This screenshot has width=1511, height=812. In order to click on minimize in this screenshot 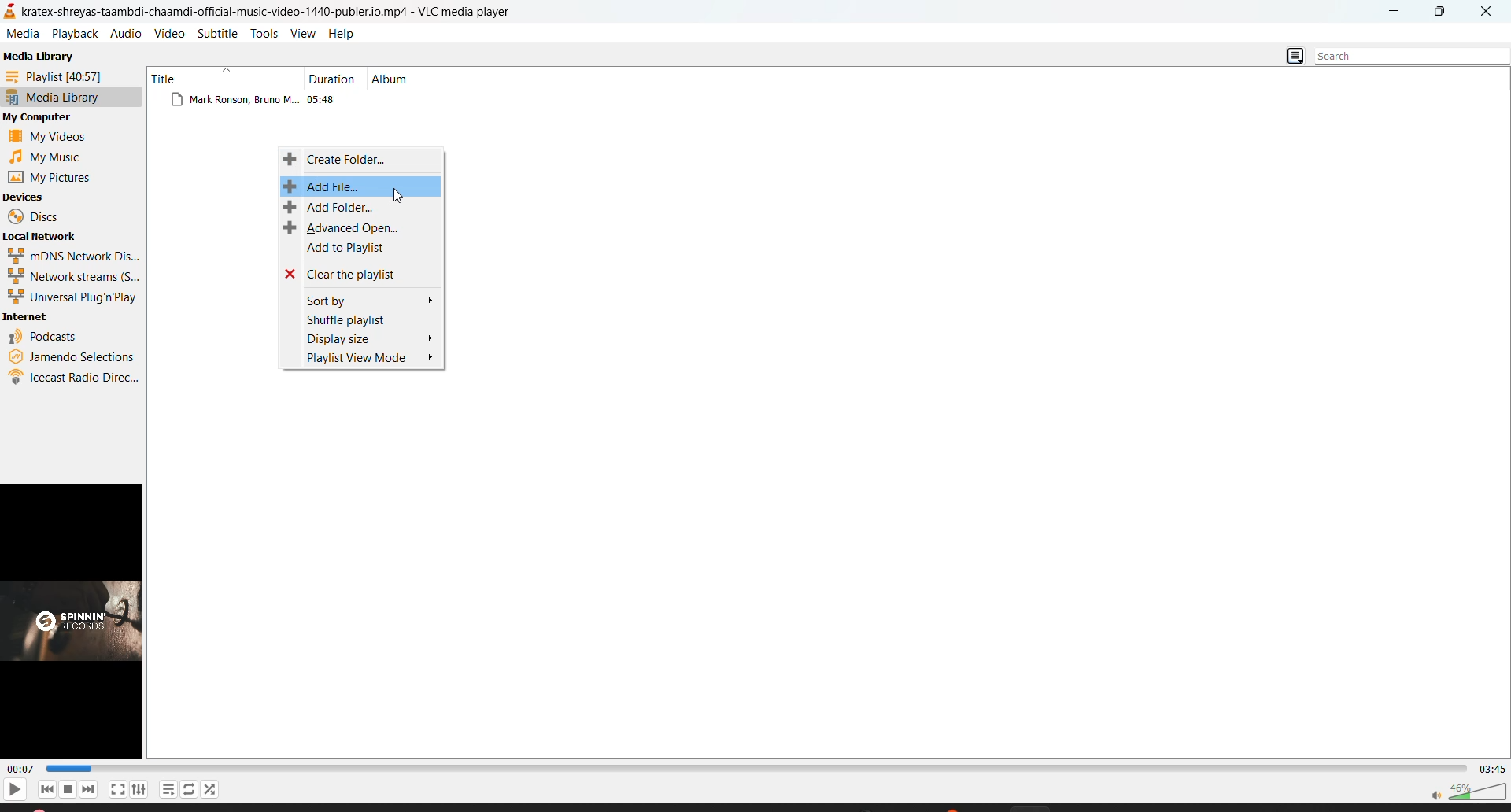, I will do `click(1398, 14)`.